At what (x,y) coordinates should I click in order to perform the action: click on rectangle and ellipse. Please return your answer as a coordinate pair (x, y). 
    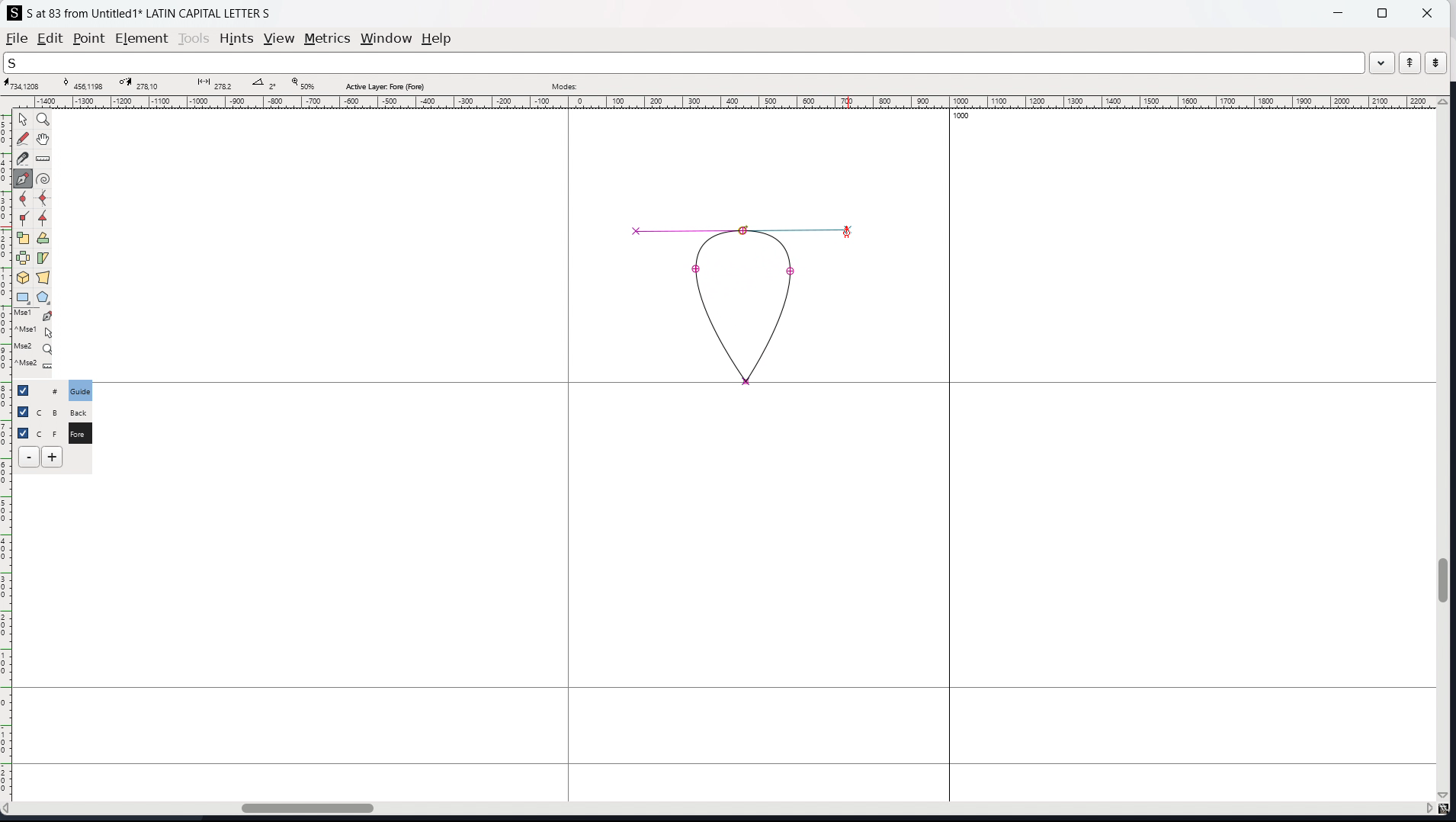
    Looking at the image, I should click on (24, 298).